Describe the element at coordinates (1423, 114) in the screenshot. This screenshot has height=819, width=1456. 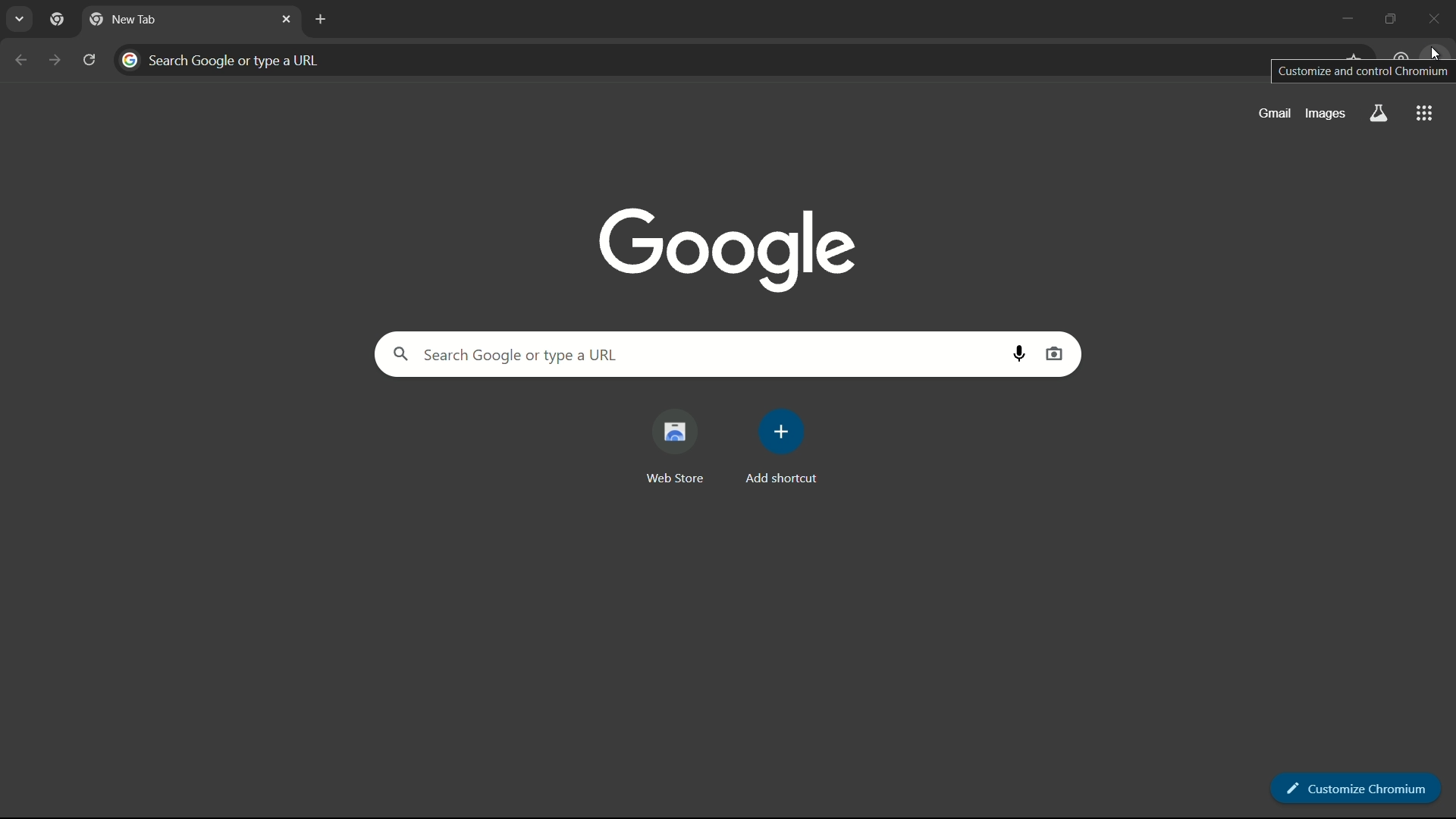
I see `more apps` at that location.